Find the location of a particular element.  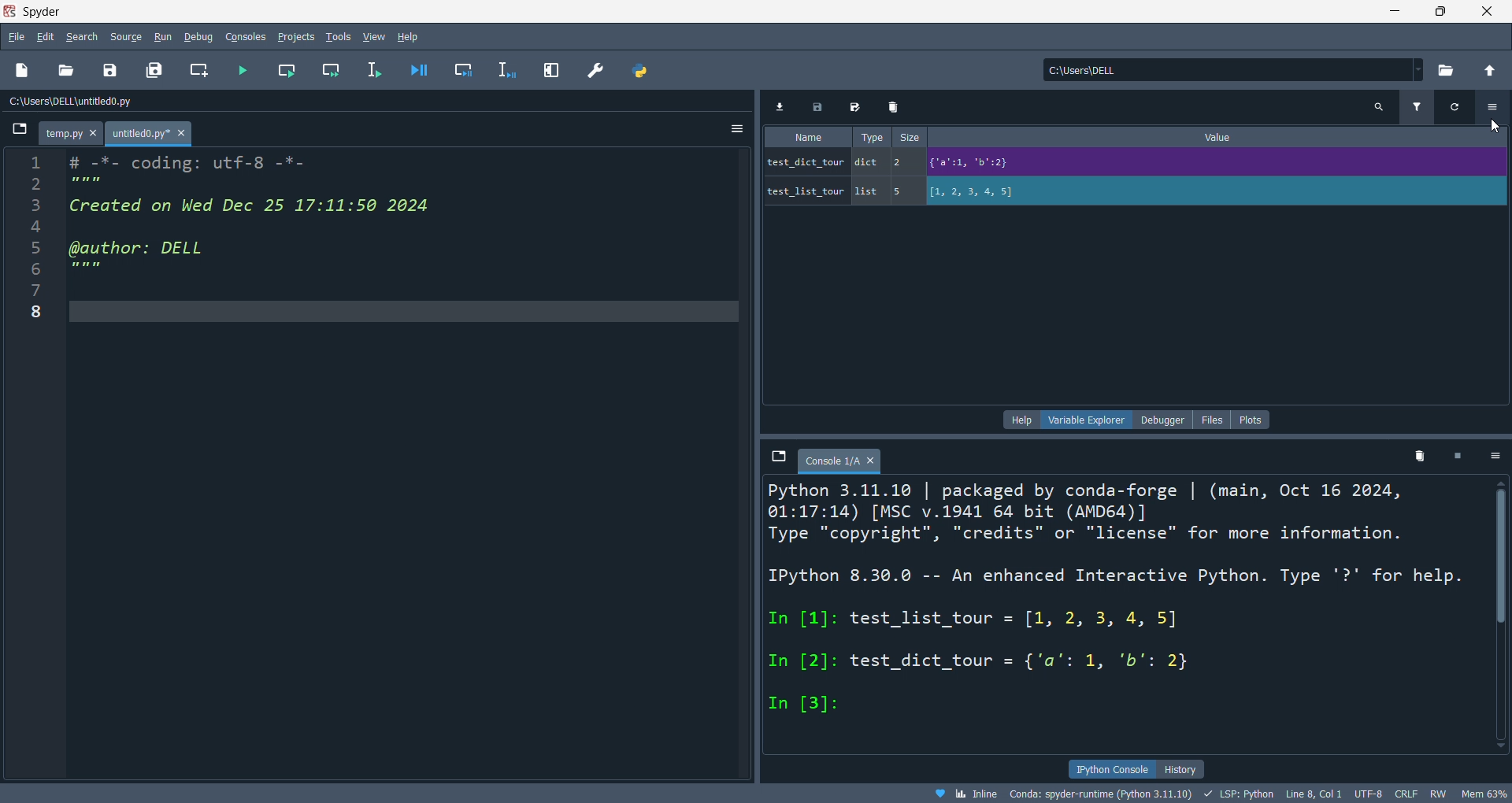

options is located at coordinates (732, 129).